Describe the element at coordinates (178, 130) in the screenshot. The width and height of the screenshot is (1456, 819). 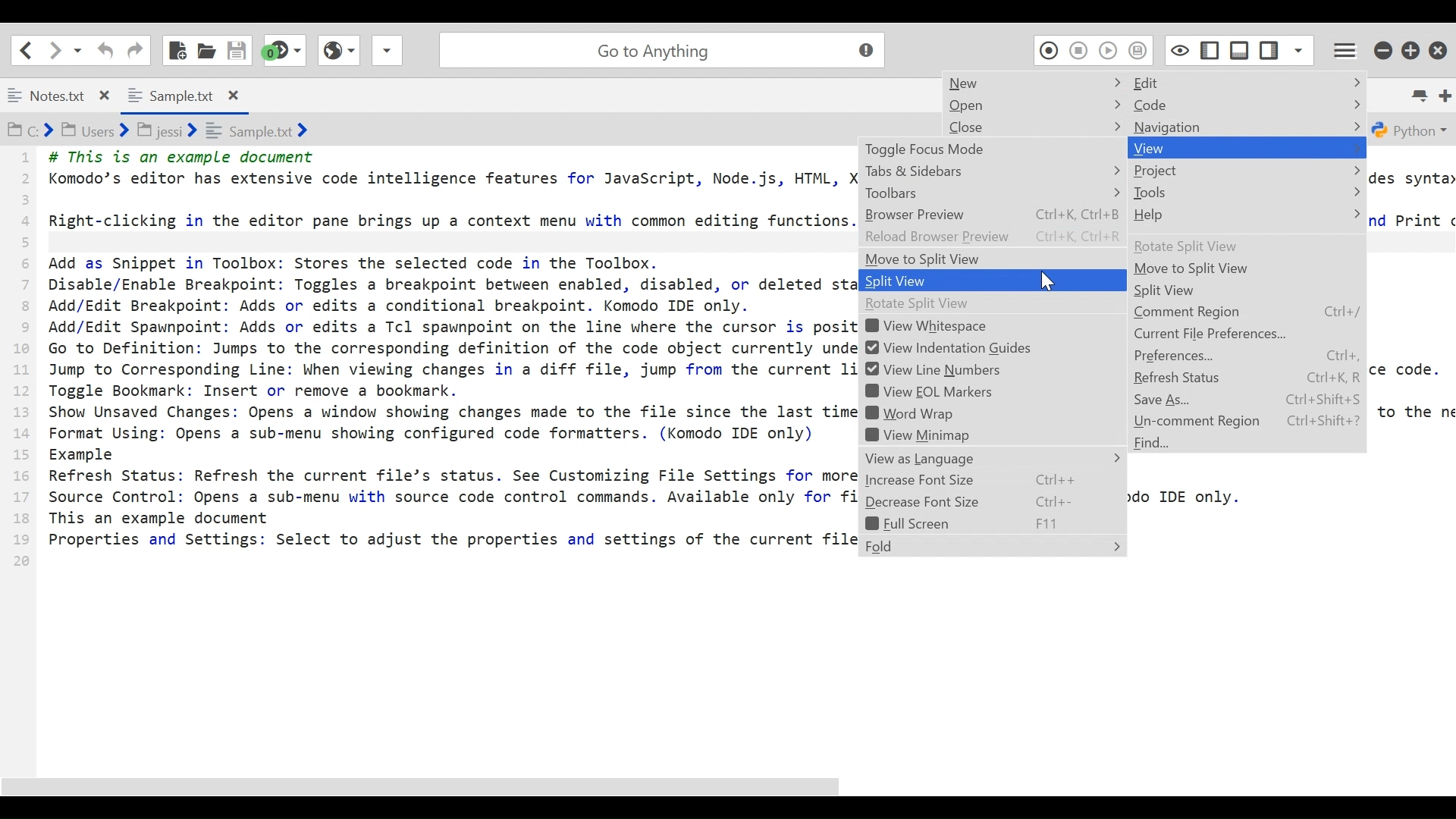
I see `C:> Users> jessi> sample.txt>` at that location.